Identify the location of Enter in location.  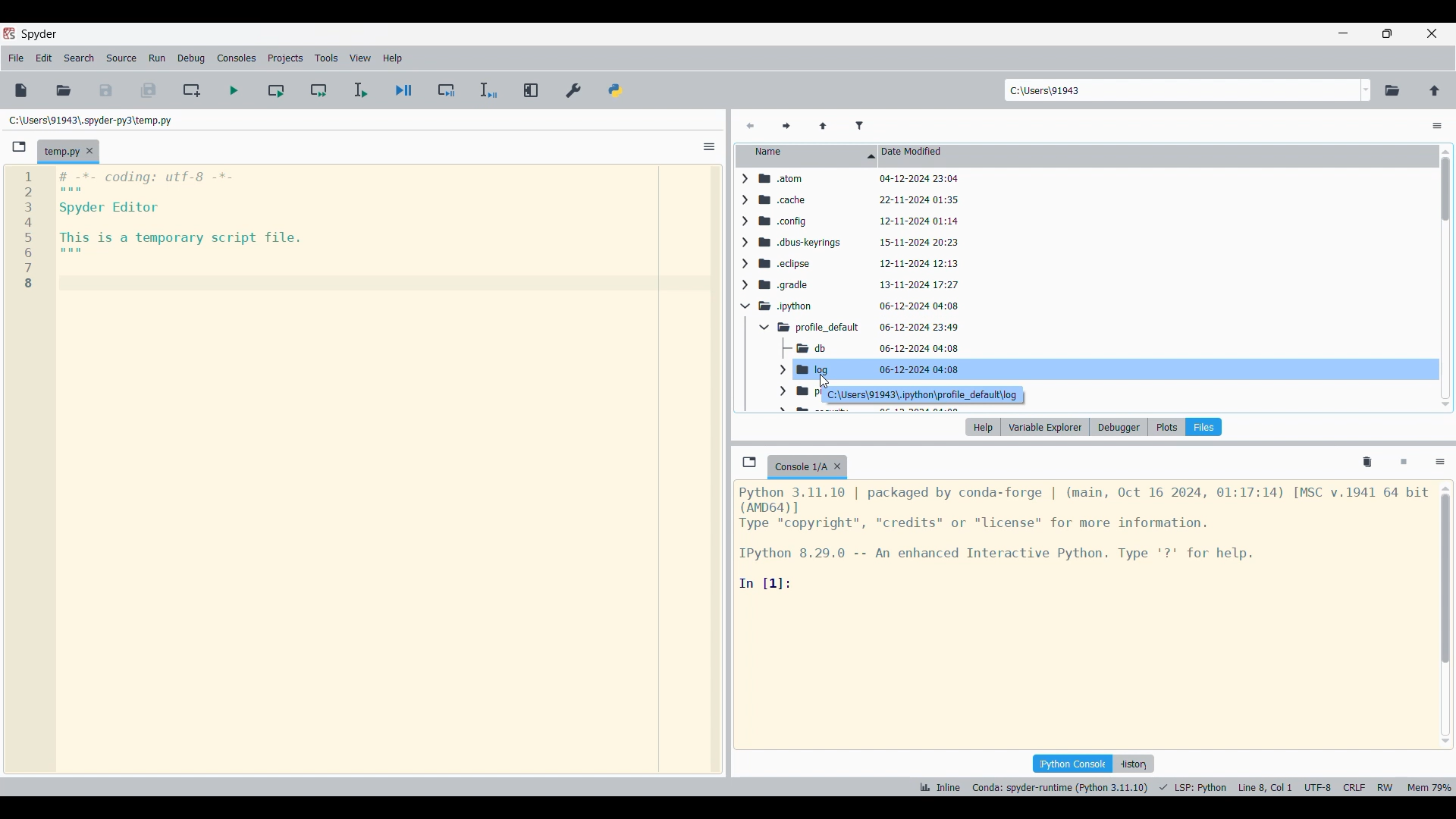
(1181, 90).